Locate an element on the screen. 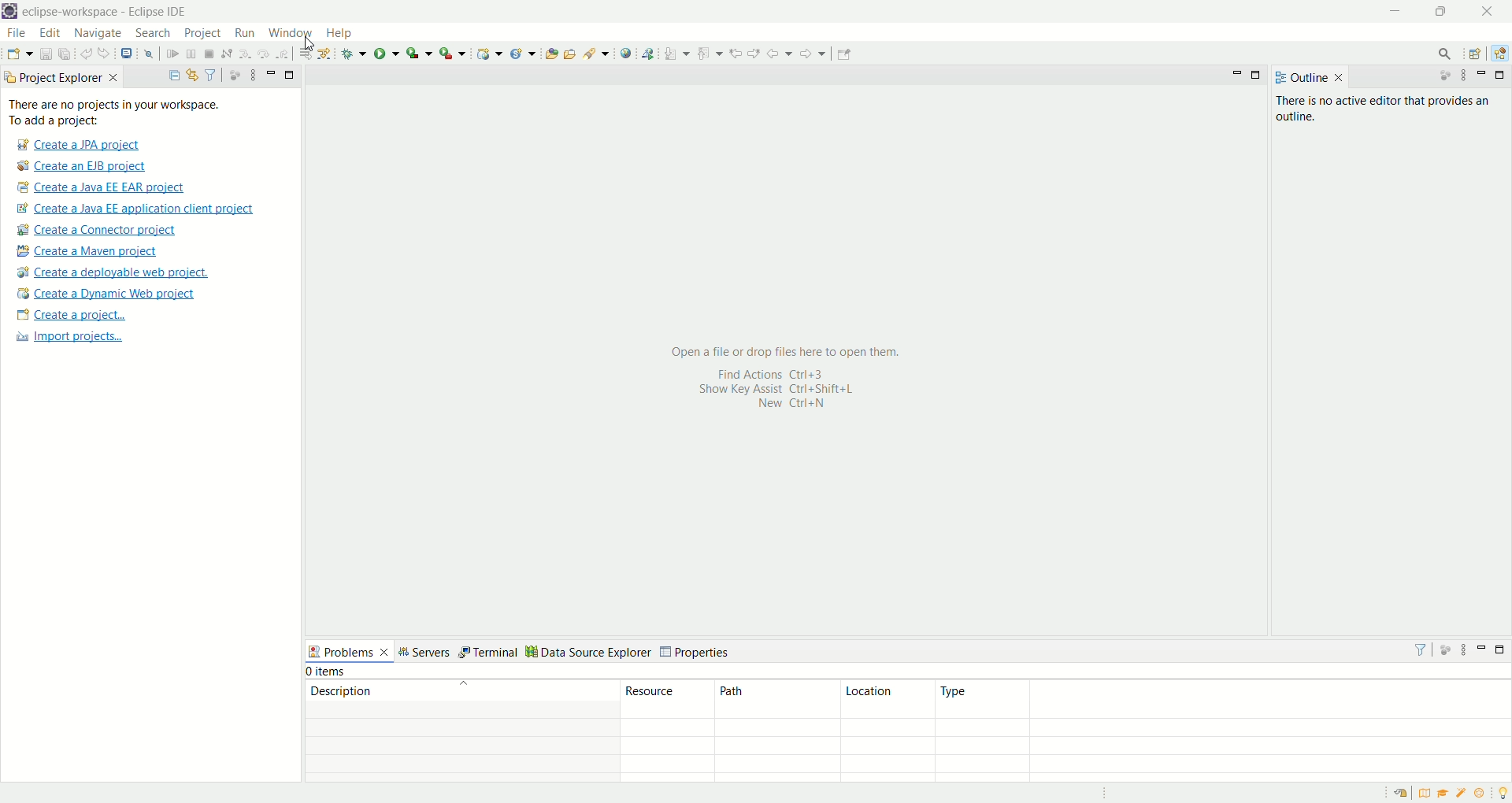 The image size is (1512, 803). close is located at coordinates (1492, 12).